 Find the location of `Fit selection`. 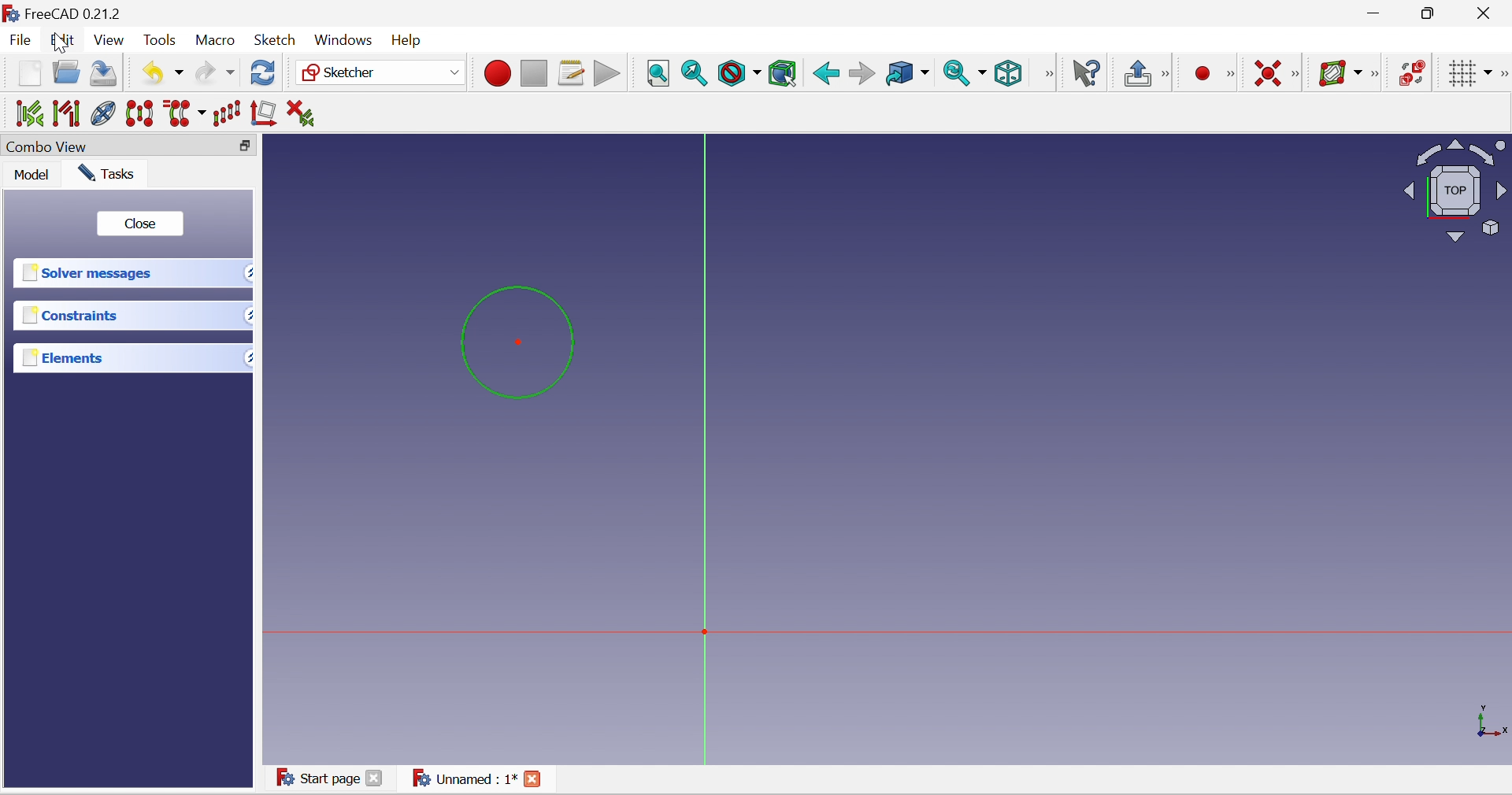

Fit selection is located at coordinates (693, 72).